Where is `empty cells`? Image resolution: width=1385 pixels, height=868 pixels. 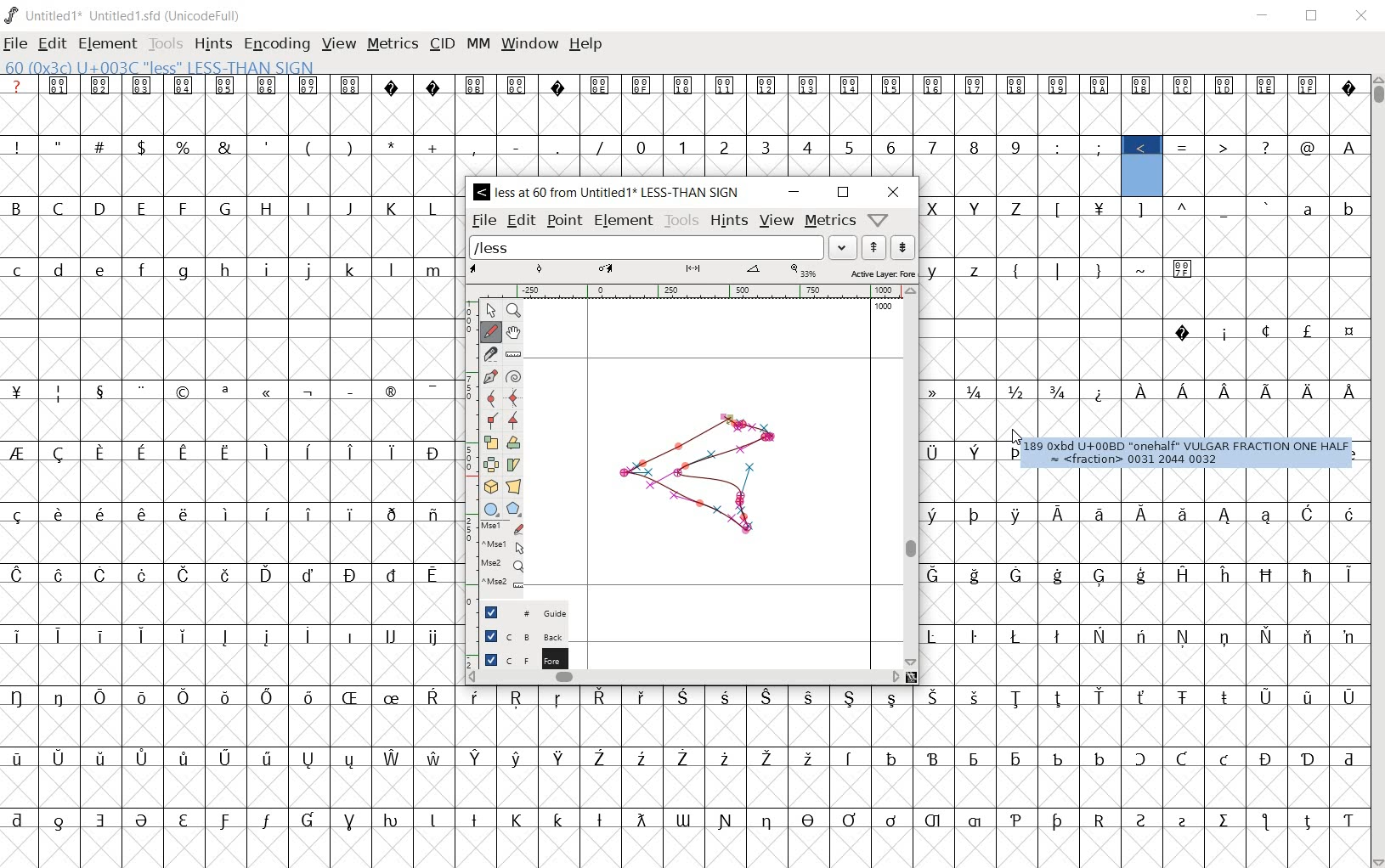
empty cells is located at coordinates (1142, 603).